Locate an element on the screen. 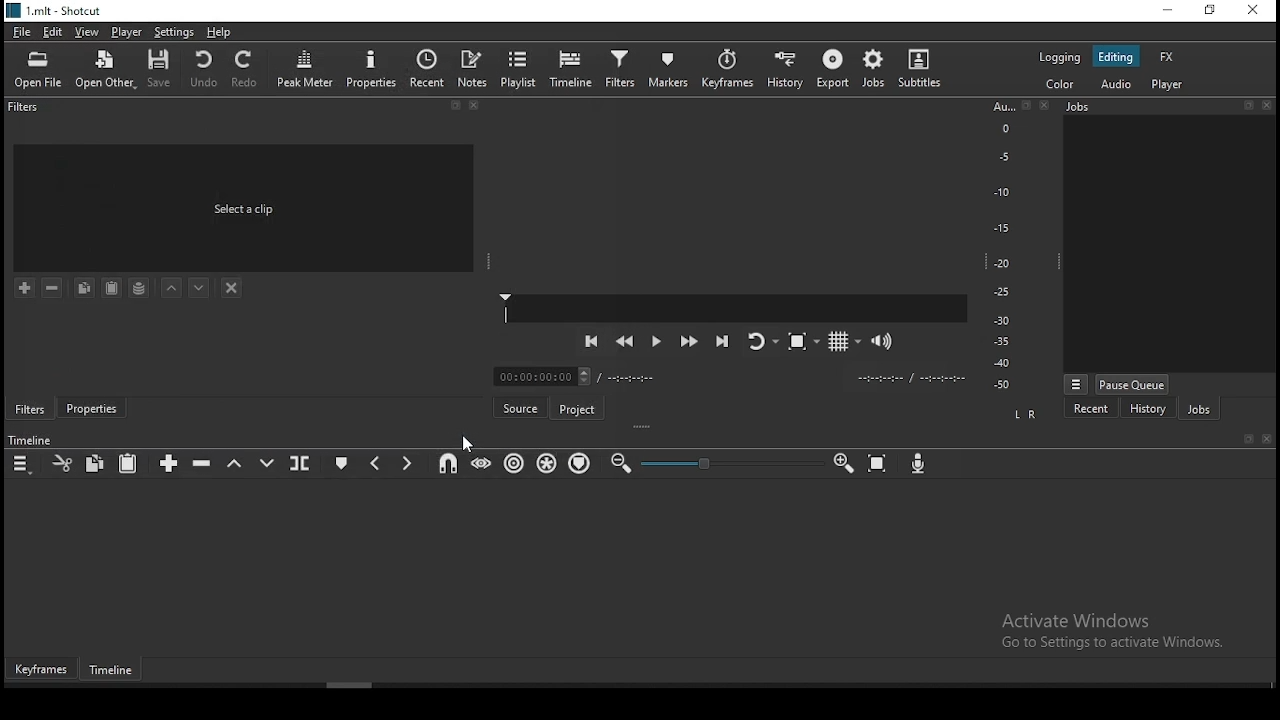 This screenshot has width=1280, height=720. append is located at coordinates (171, 463).